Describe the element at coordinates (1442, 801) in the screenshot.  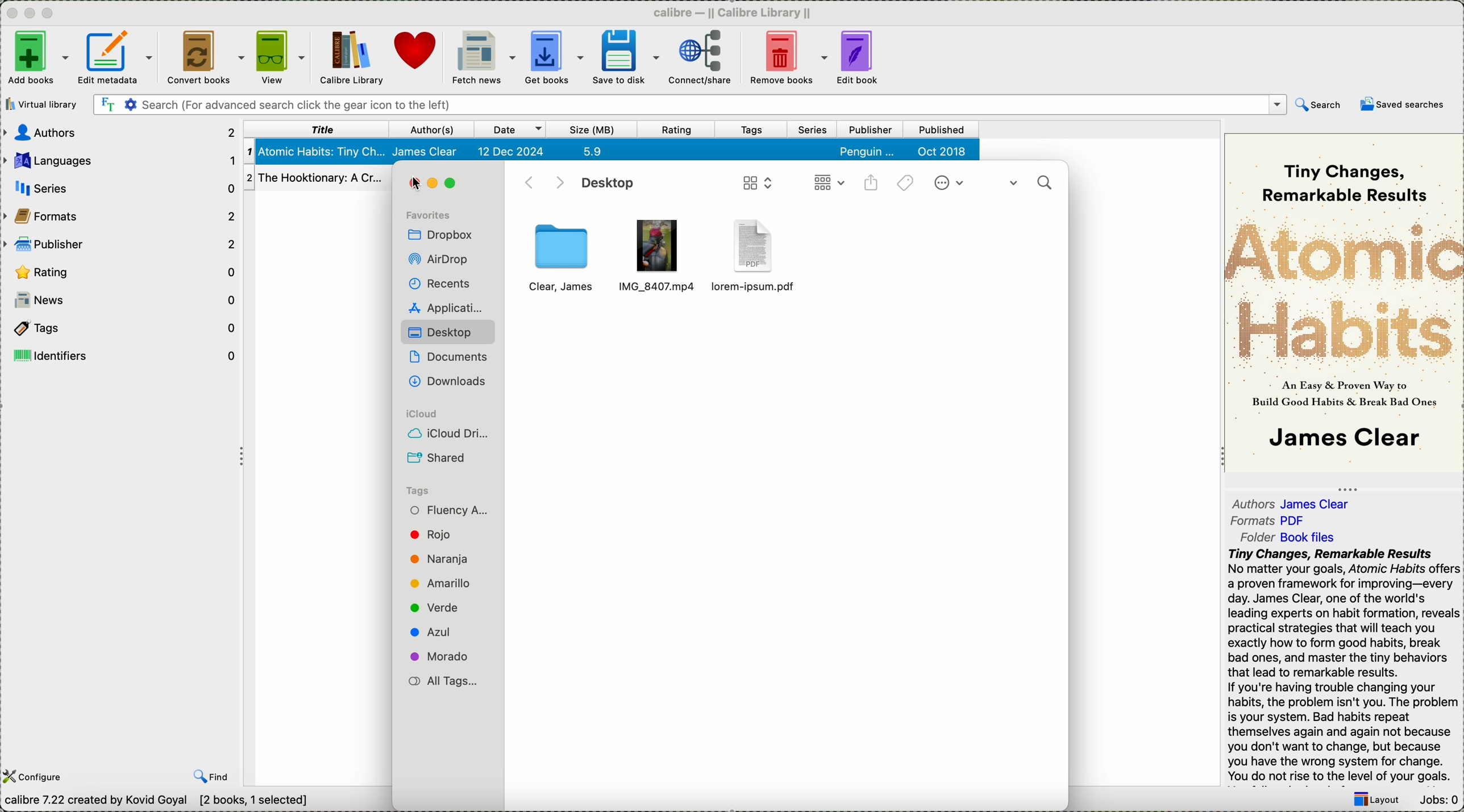
I see `Jobs: 0` at that location.